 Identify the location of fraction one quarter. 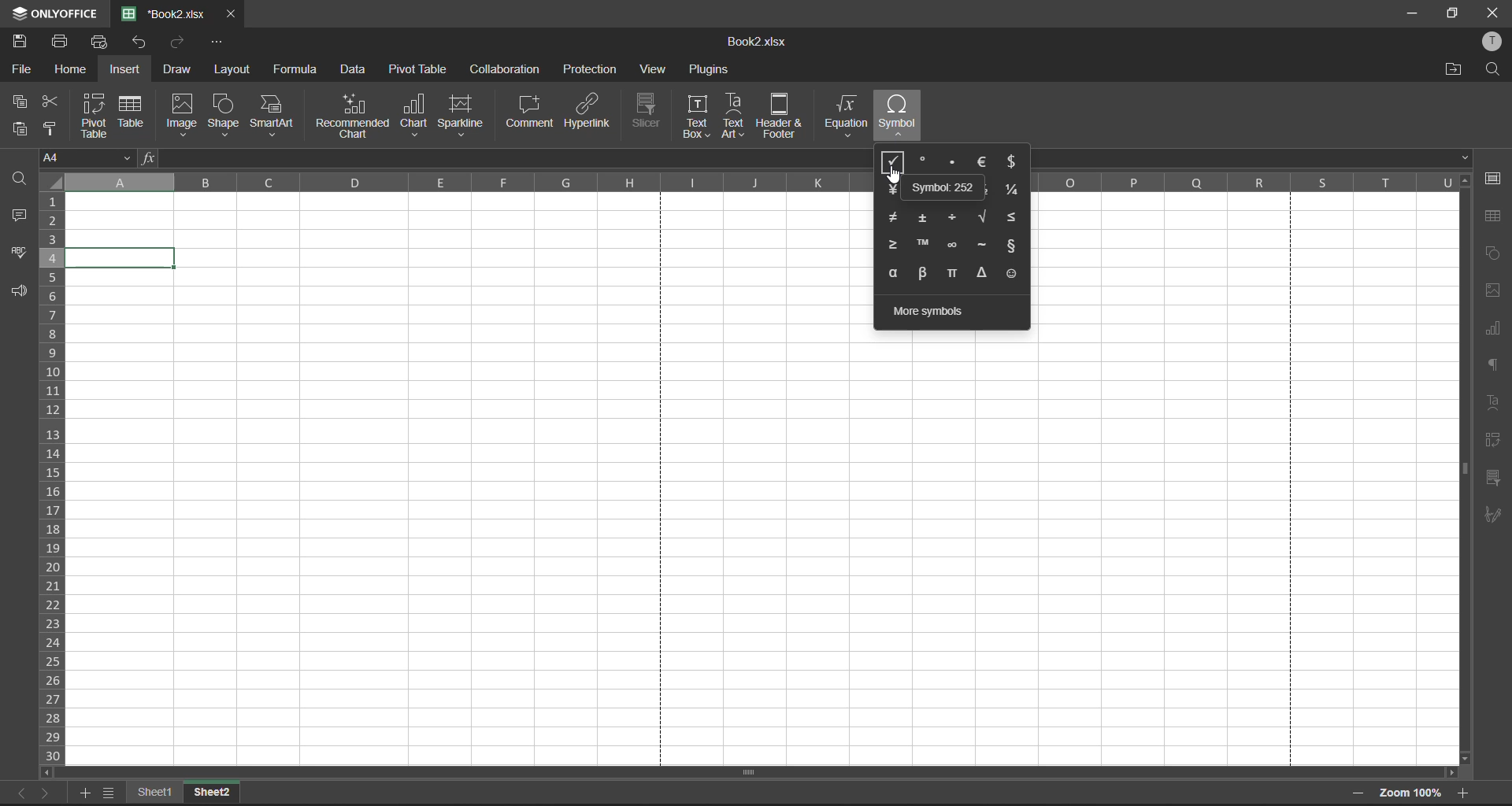
(1013, 189).